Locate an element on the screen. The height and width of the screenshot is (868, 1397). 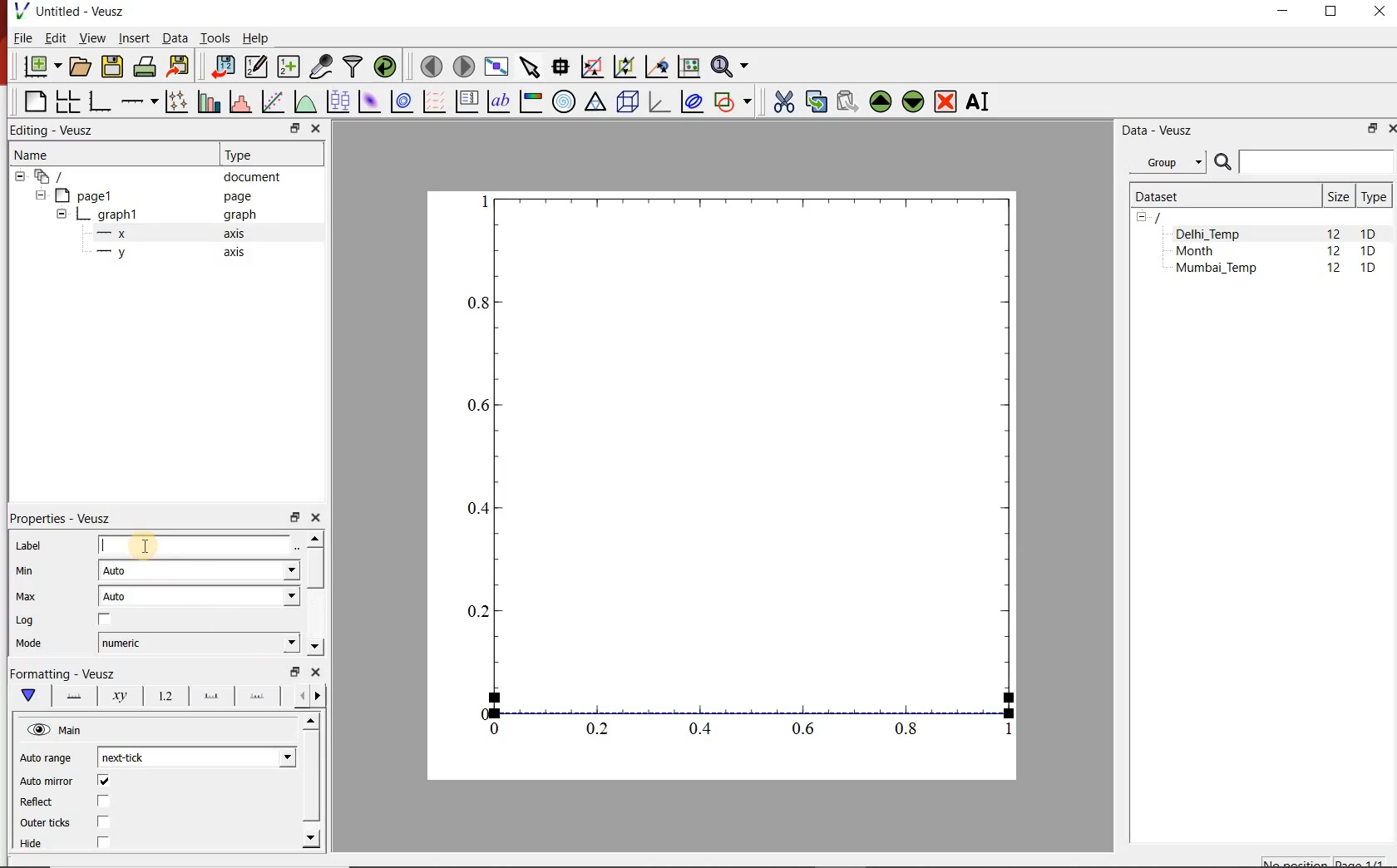
SEARCH DATASETS is located at coordinates (1303, 163).